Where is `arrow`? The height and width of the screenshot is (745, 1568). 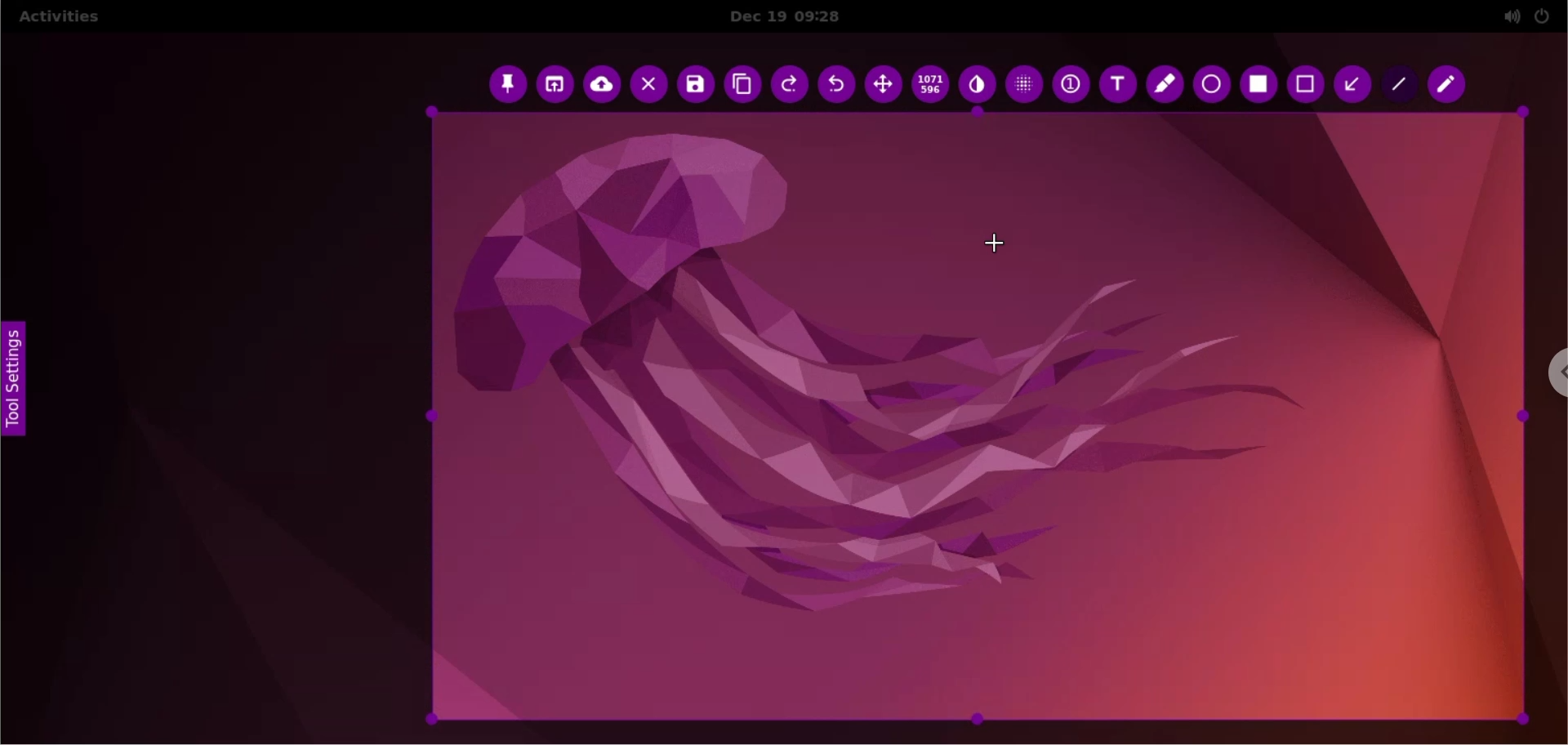 arrow is located at coordinates (1350, 83).